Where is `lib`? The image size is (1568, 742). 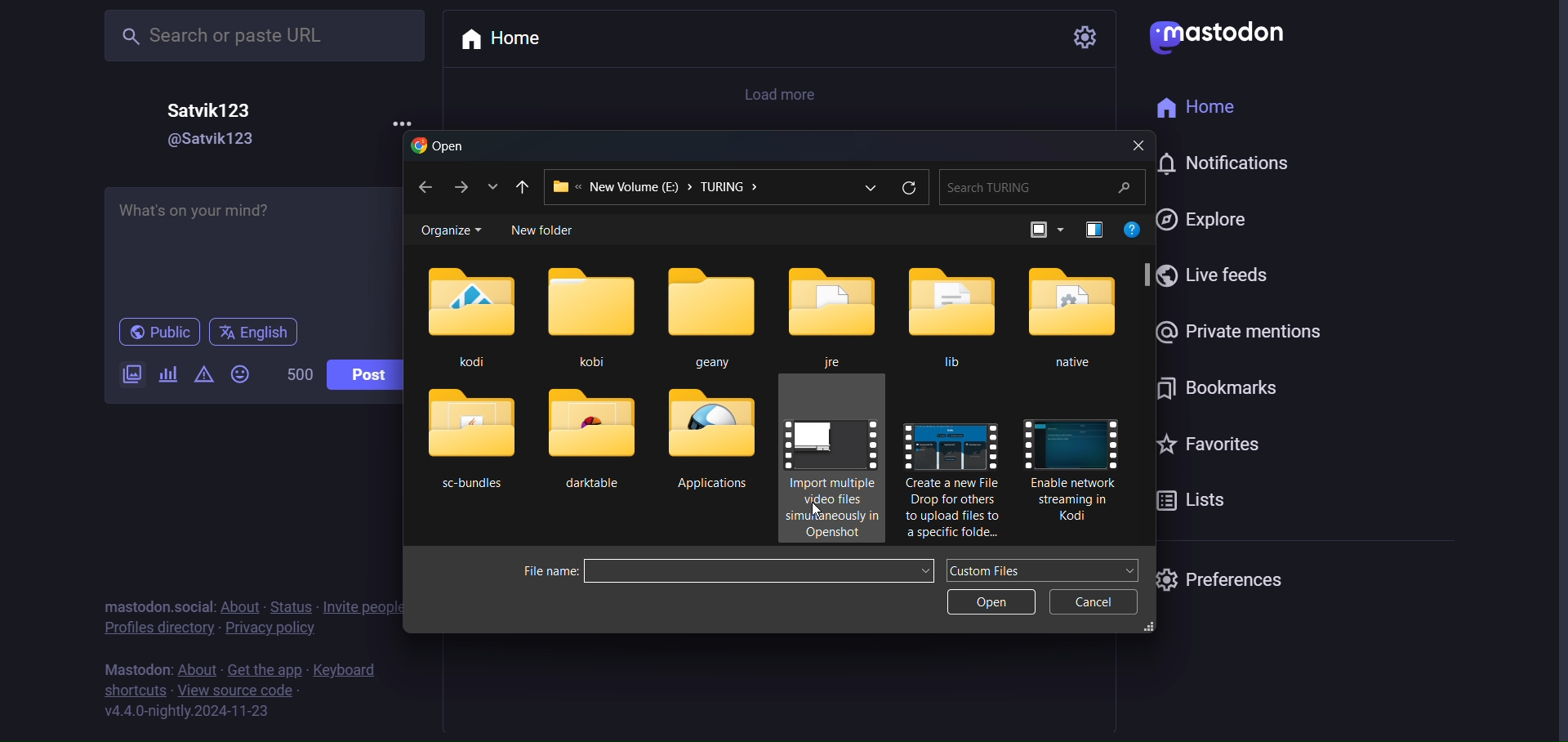 lib is located at coordinates (955, 317).